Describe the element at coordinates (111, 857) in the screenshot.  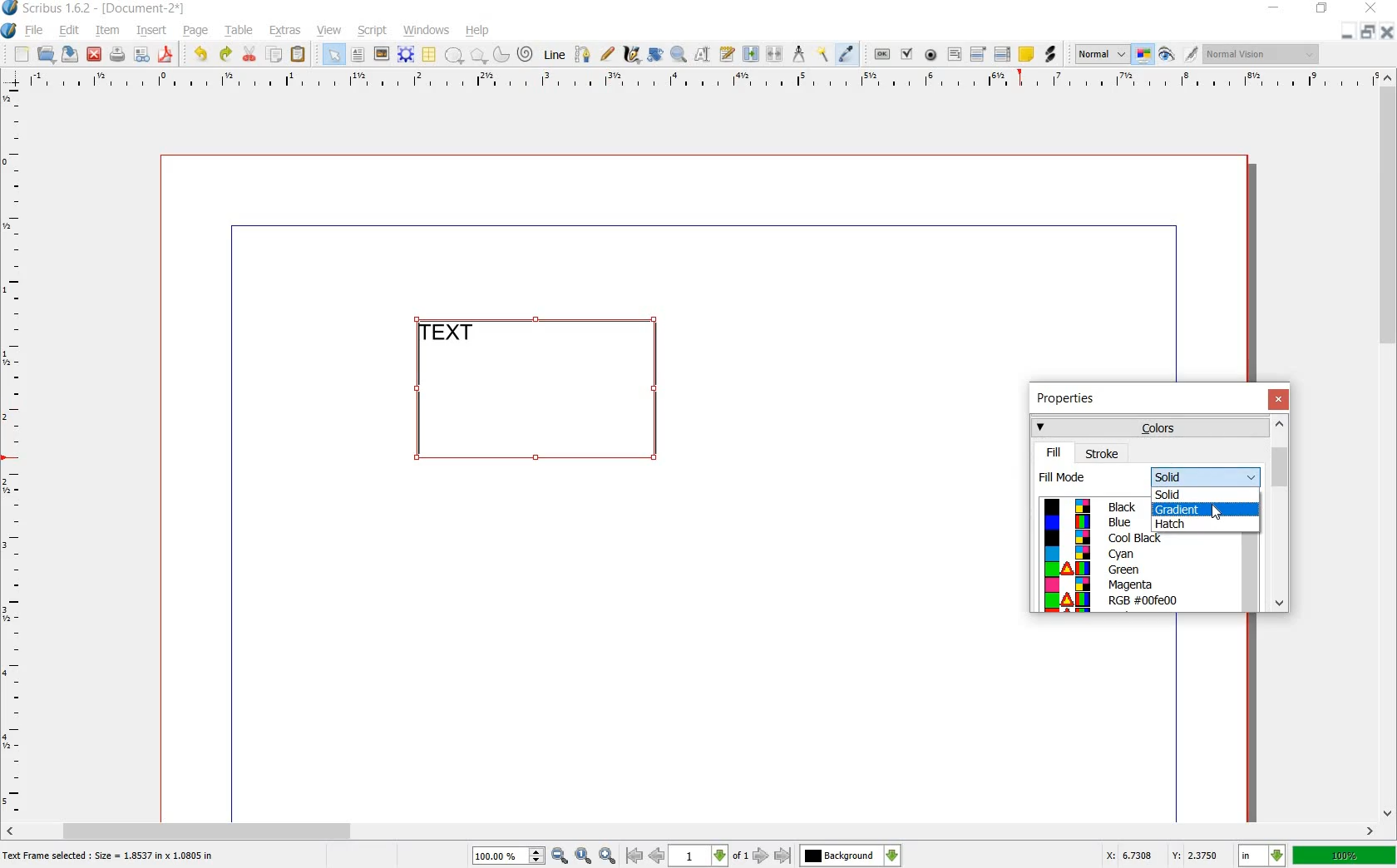
I see `text frame selected : size = 1.8537 in x 1.0805 in` at that location.